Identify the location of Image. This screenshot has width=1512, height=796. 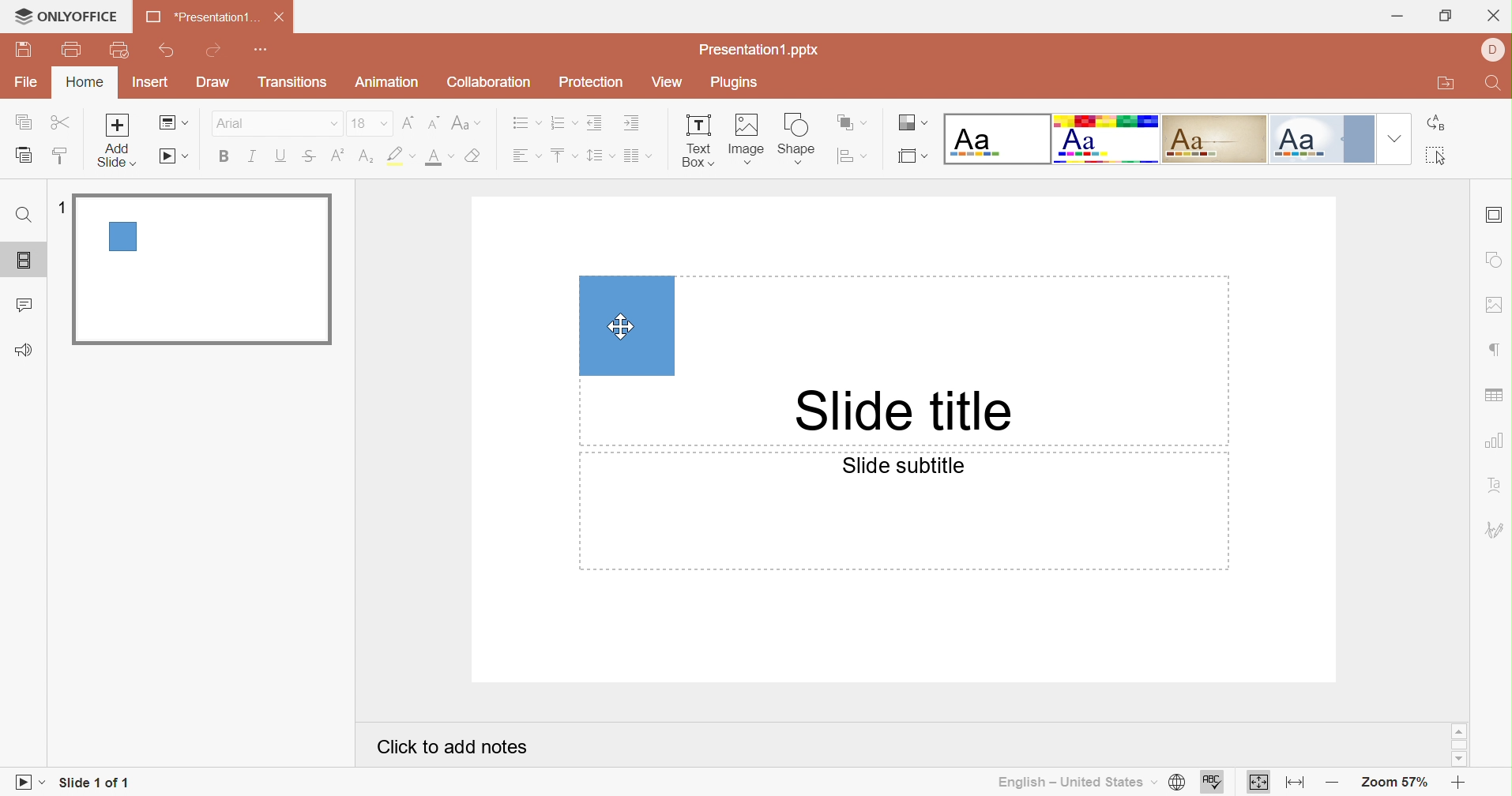
(746, 141).